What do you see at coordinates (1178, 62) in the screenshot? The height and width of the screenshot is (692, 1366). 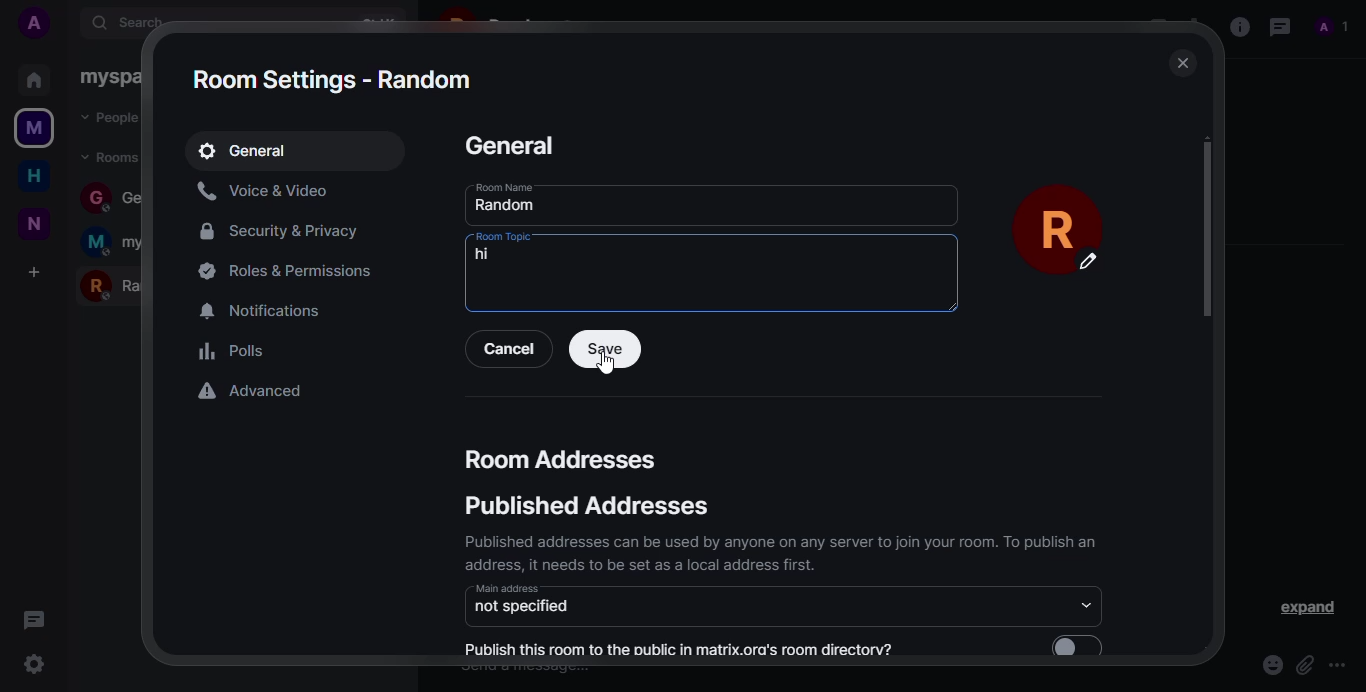 I see `close` at bounding box center [1178, 62].